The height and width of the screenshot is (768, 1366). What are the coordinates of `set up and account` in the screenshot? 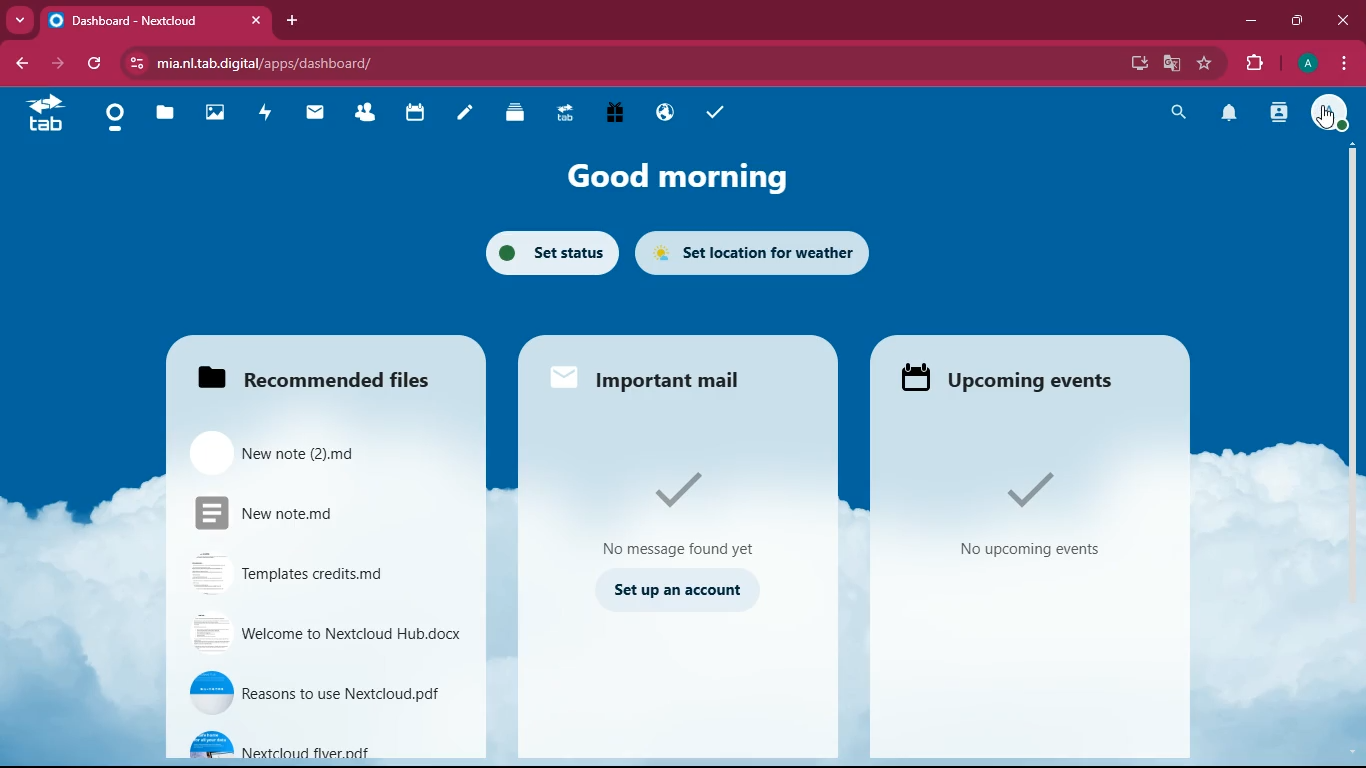 It's located at (677, 593).